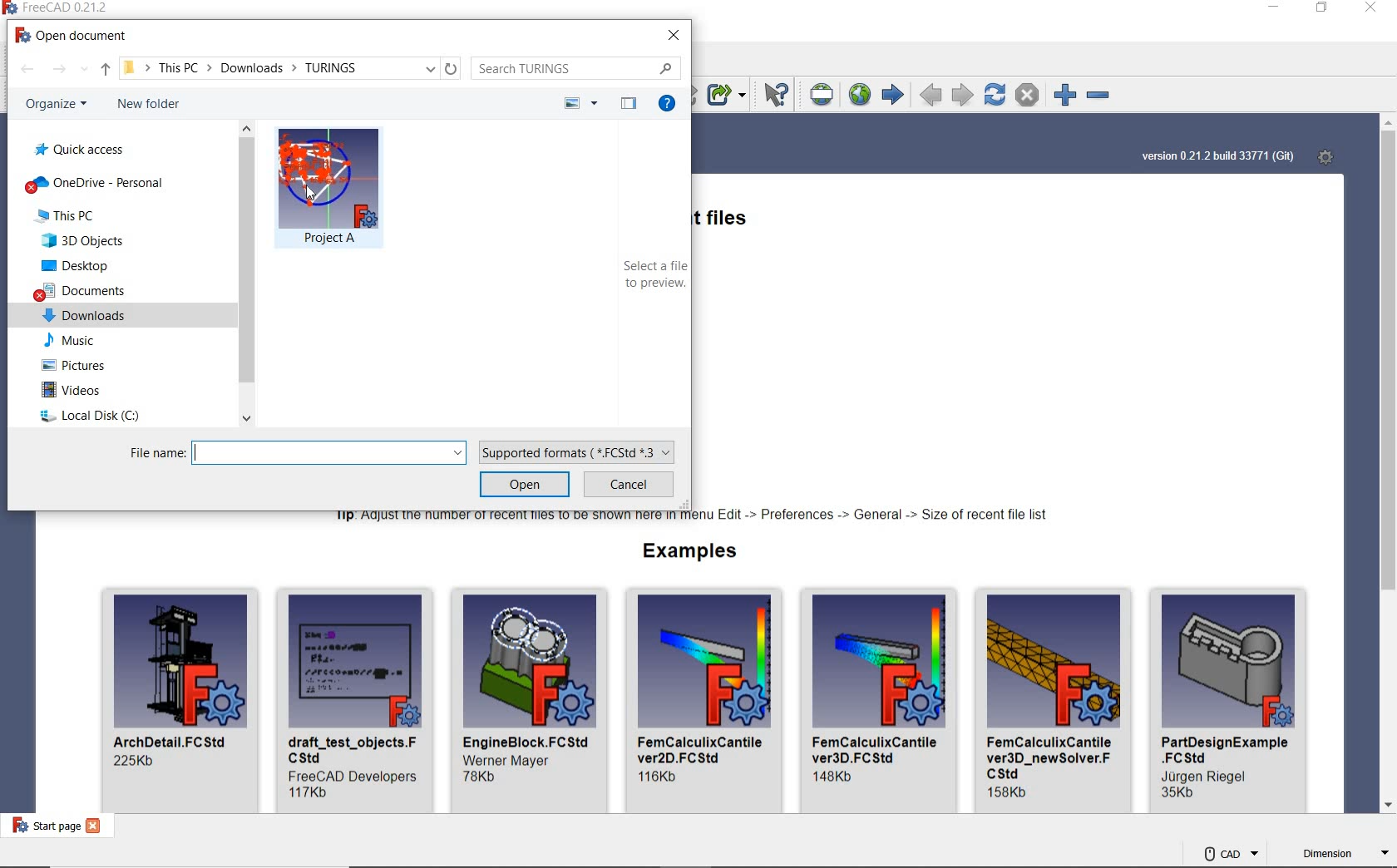  What do you see at coordinates (70, 339) in the screenshot?
I see `music` at bounding box center [70, 339].